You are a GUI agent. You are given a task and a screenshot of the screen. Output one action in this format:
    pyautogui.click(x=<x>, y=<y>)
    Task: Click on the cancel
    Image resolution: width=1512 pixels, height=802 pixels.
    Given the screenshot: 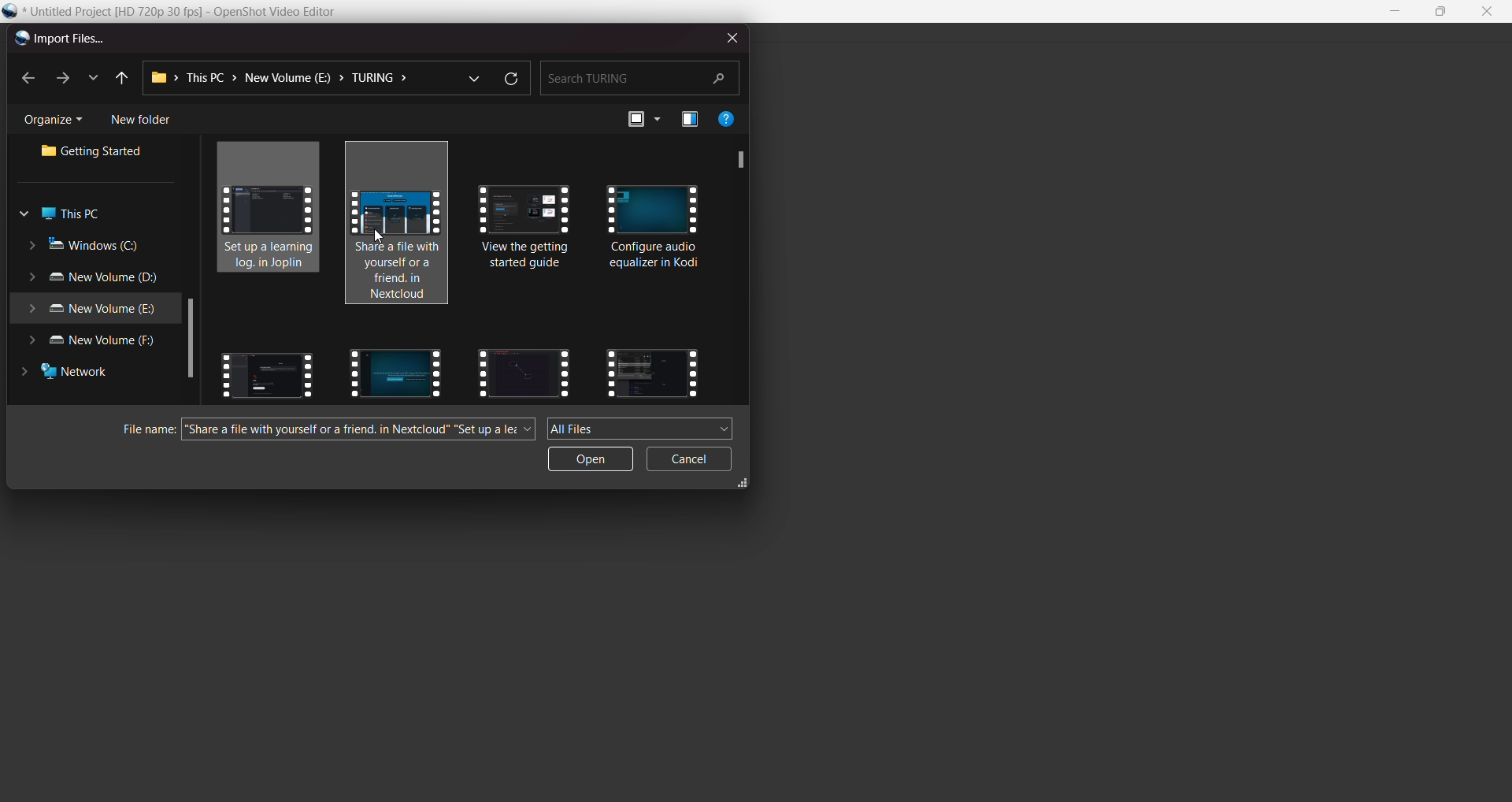 What is the action you would take?
    pyautogui.click(x=691, y=460)
    